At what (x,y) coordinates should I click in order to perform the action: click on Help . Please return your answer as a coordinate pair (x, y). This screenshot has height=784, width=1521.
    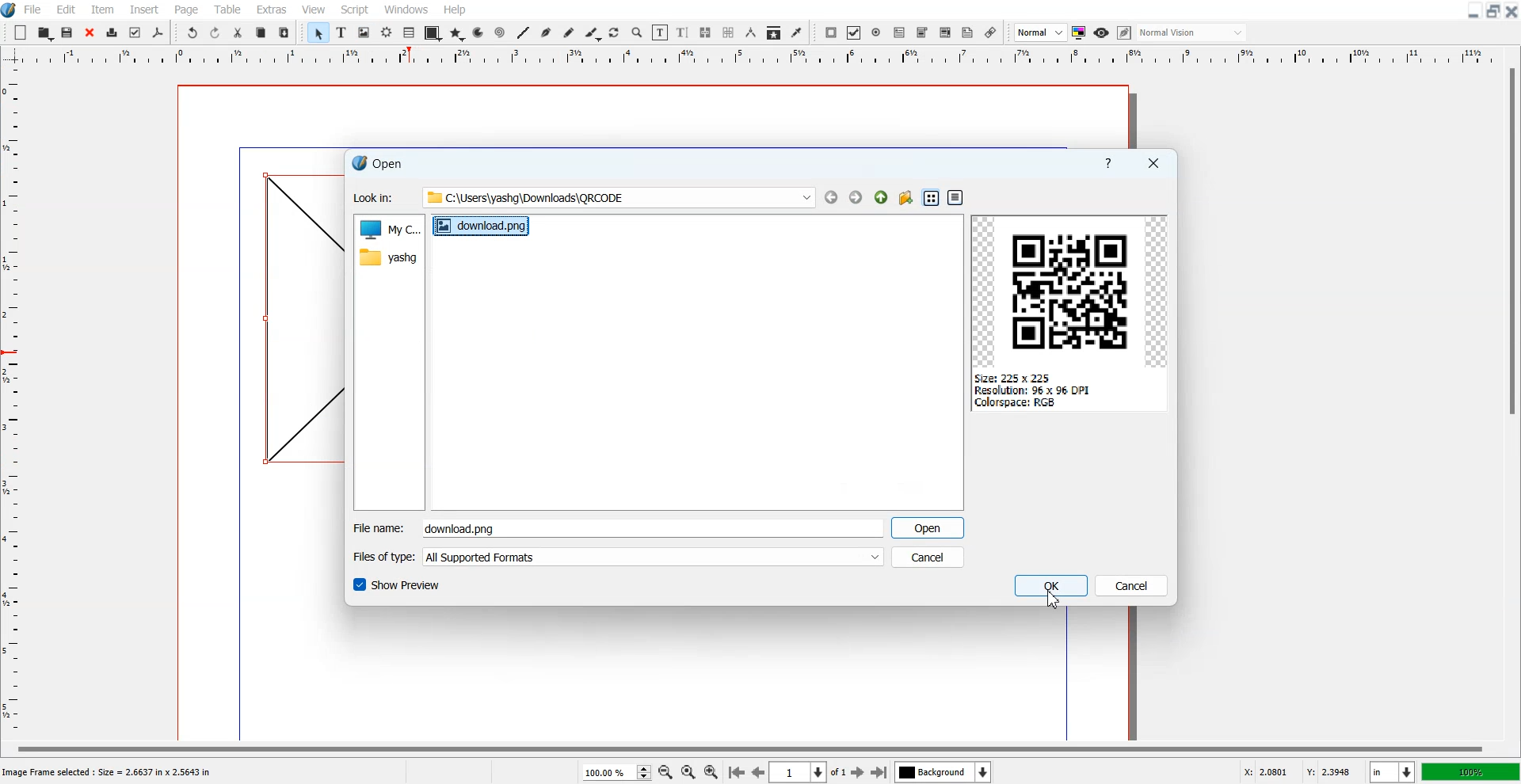
    Looking at the image, I should click on (1109, 163).